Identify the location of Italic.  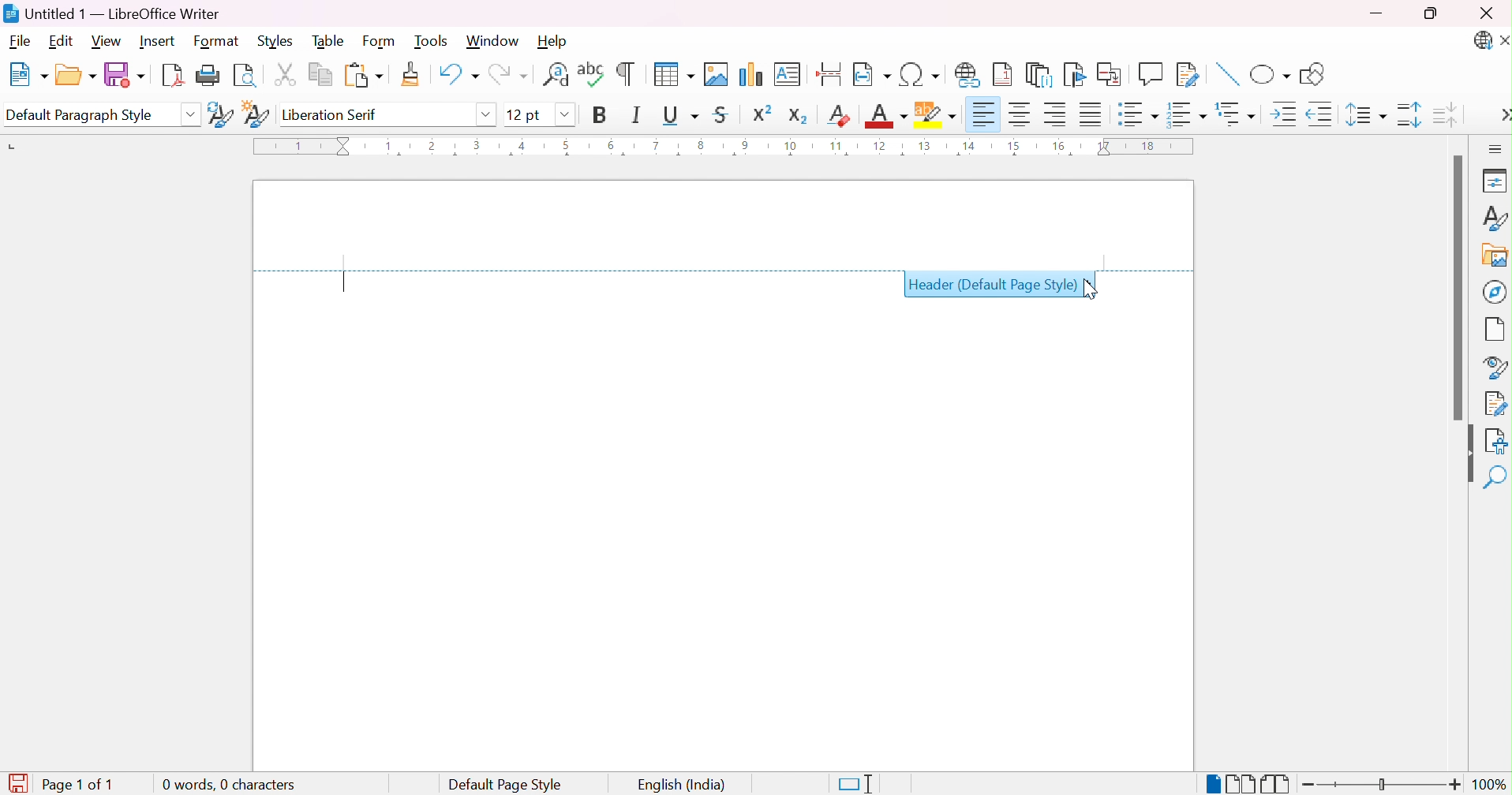
(635, 115).